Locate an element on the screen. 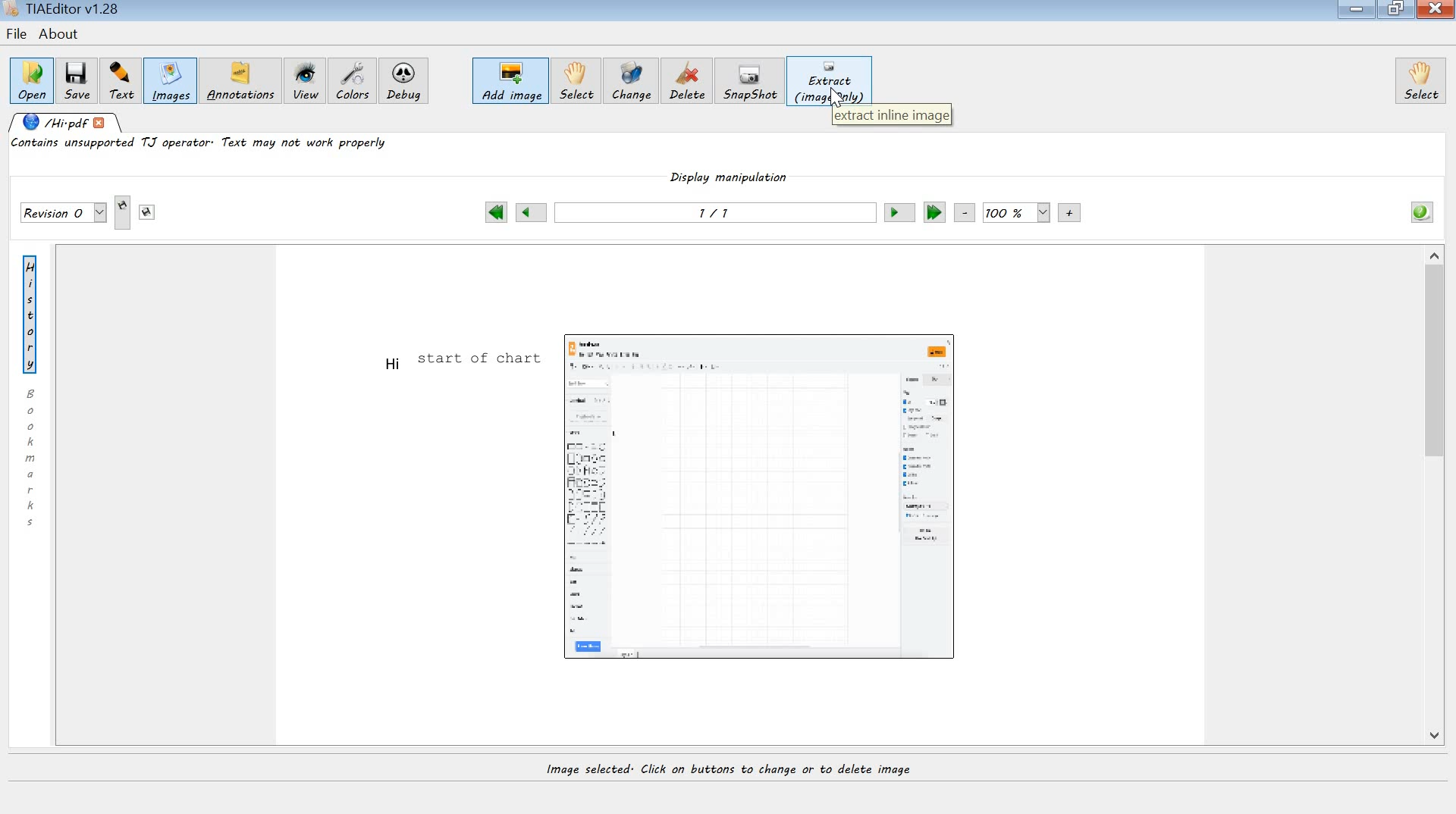  change is located at coordinates (631, 83).